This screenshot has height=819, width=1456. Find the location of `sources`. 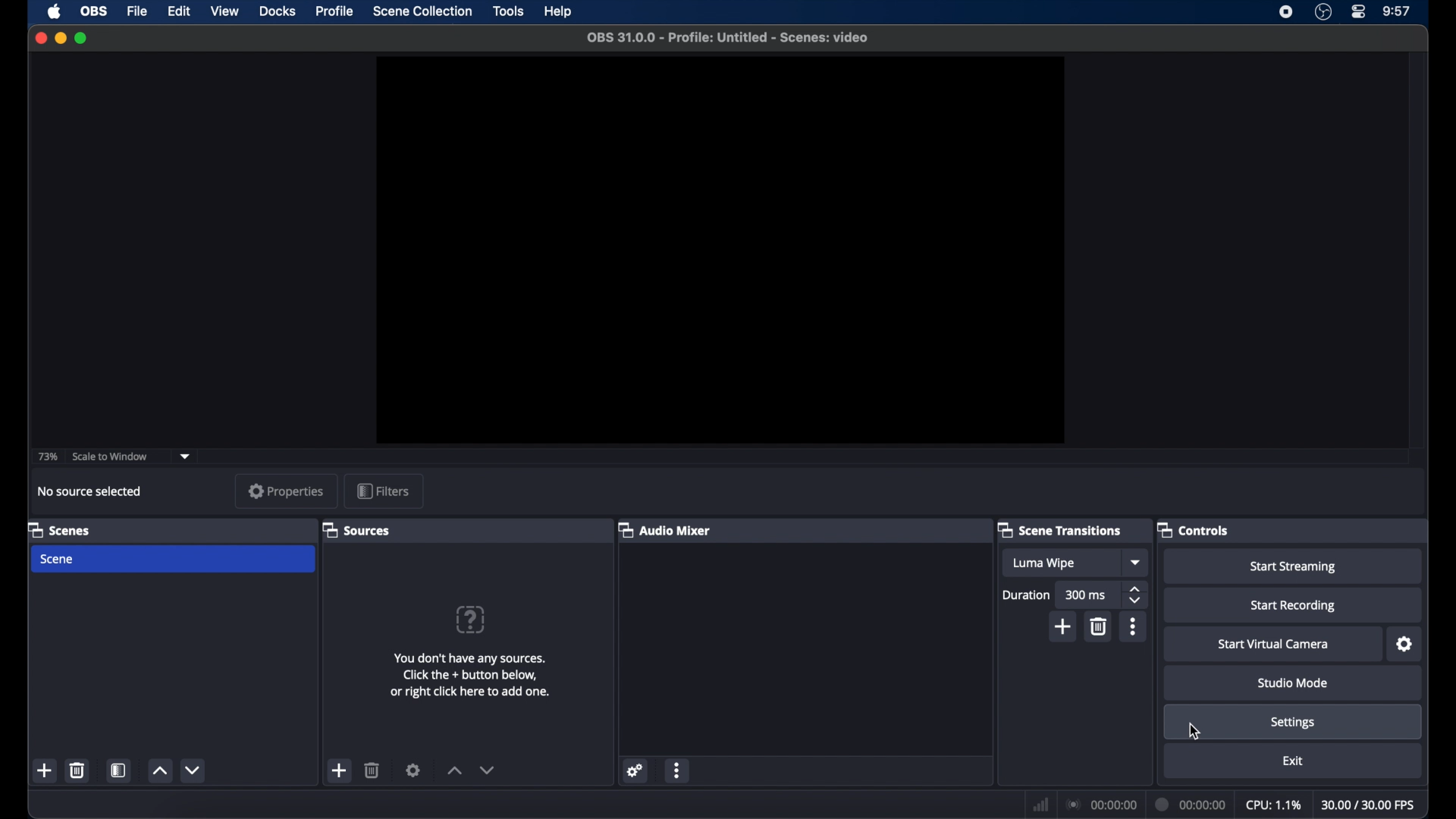

sources is located at coordinates (356, 529).